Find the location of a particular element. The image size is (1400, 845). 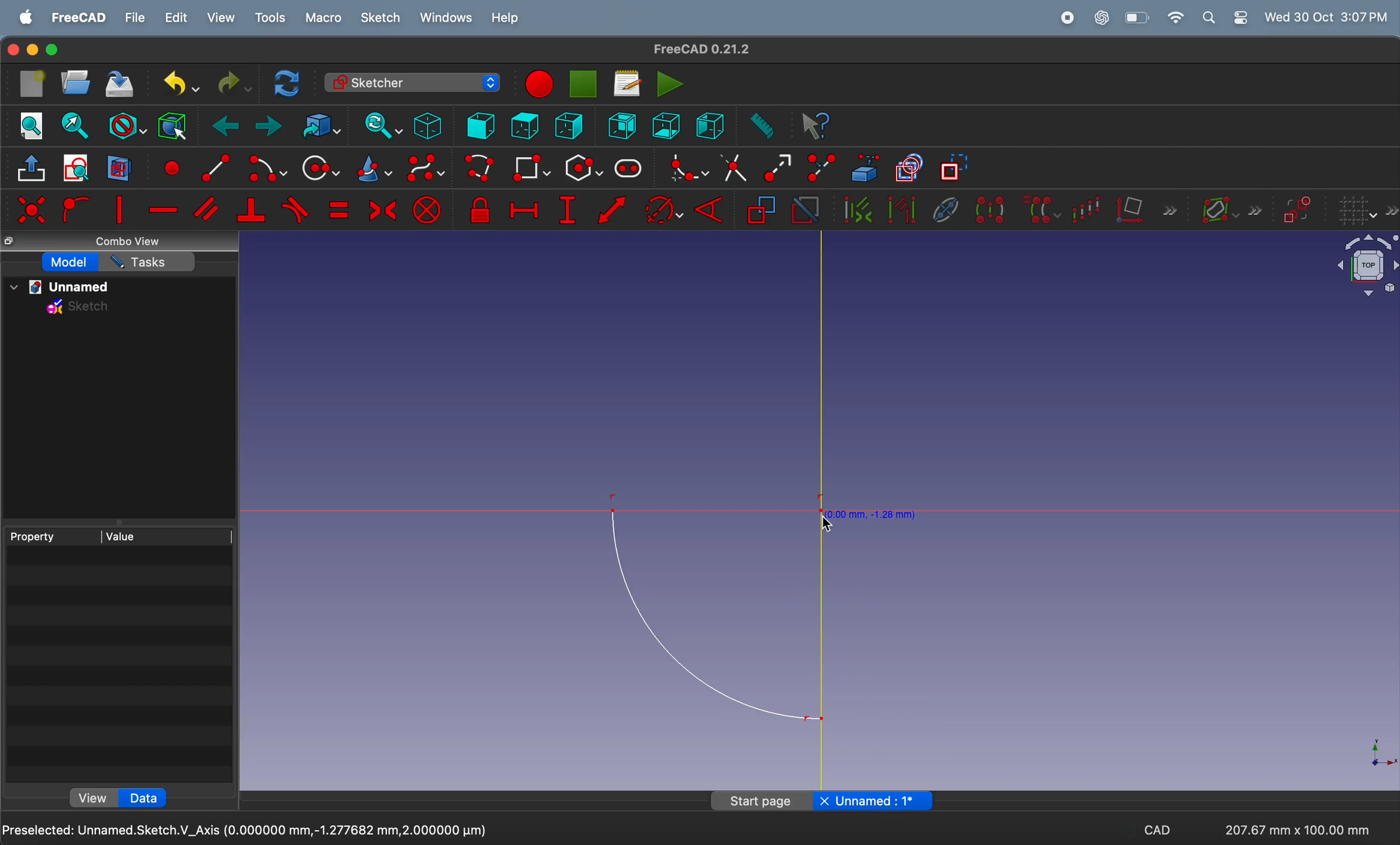

constrain perpendicular is located at coordinates (251, 211).